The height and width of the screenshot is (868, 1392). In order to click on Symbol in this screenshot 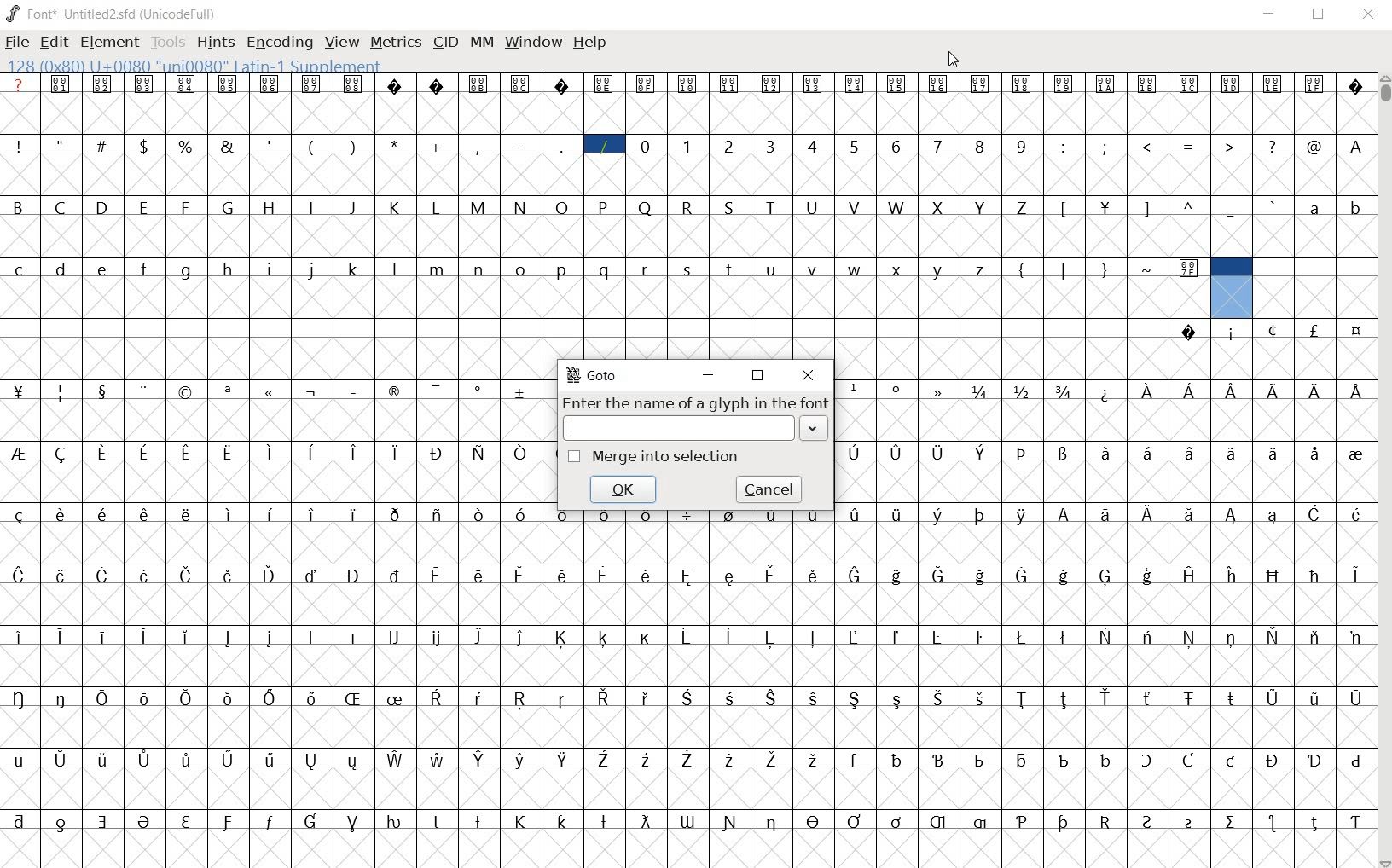, I will do `click(731, 512)`.